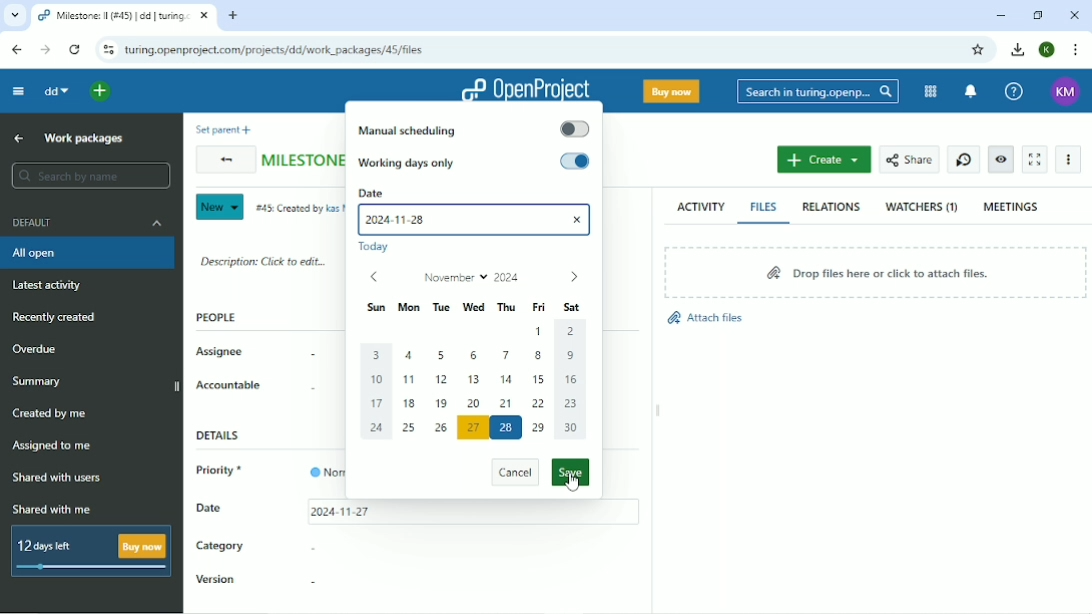 This screenshot has height=614, width=1092. What do you see at coordinates (931, 92) in the screenshot?
I see `Modules` at bounding box center [931, 92].